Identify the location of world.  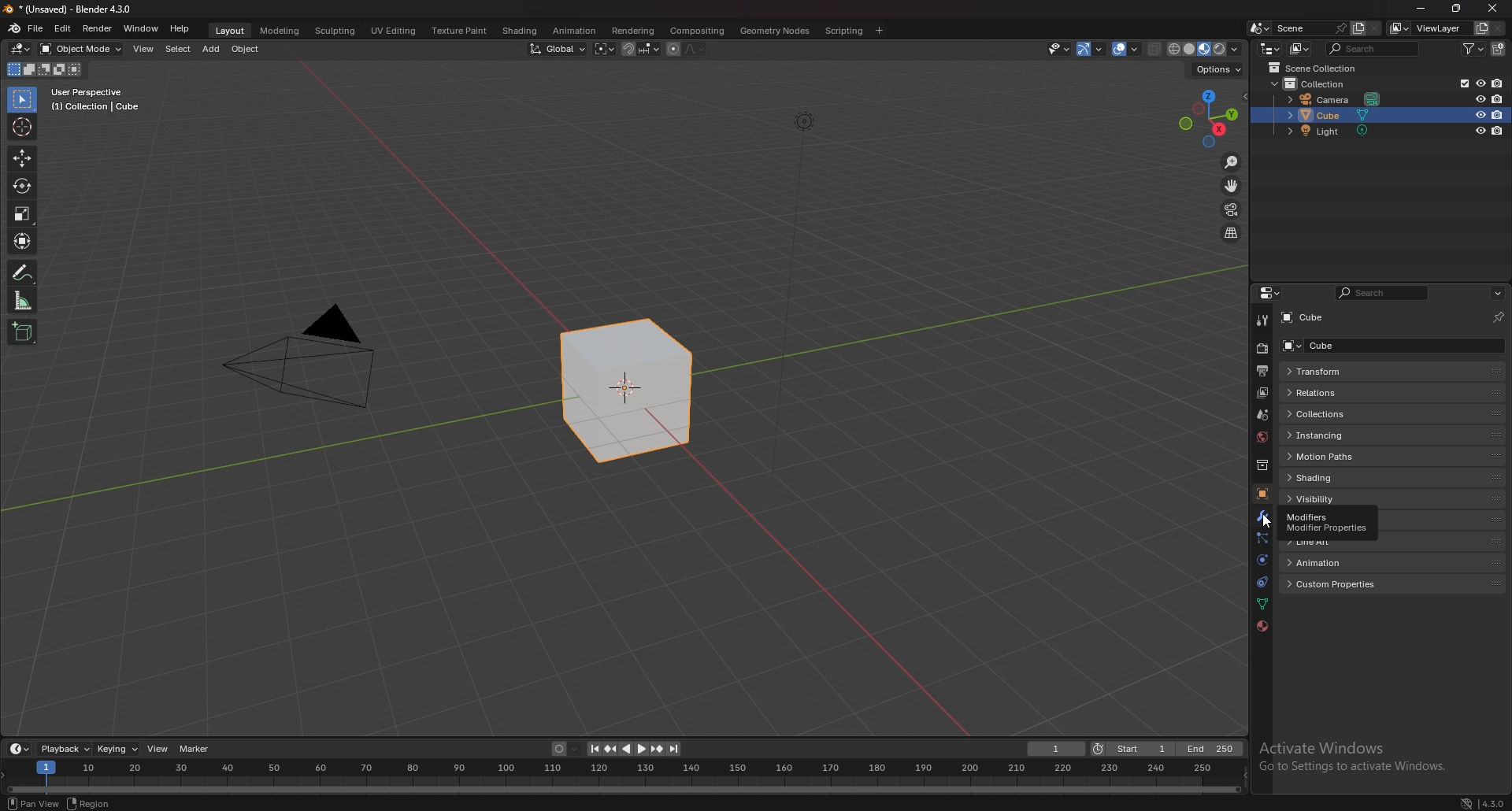
(1260, 437).